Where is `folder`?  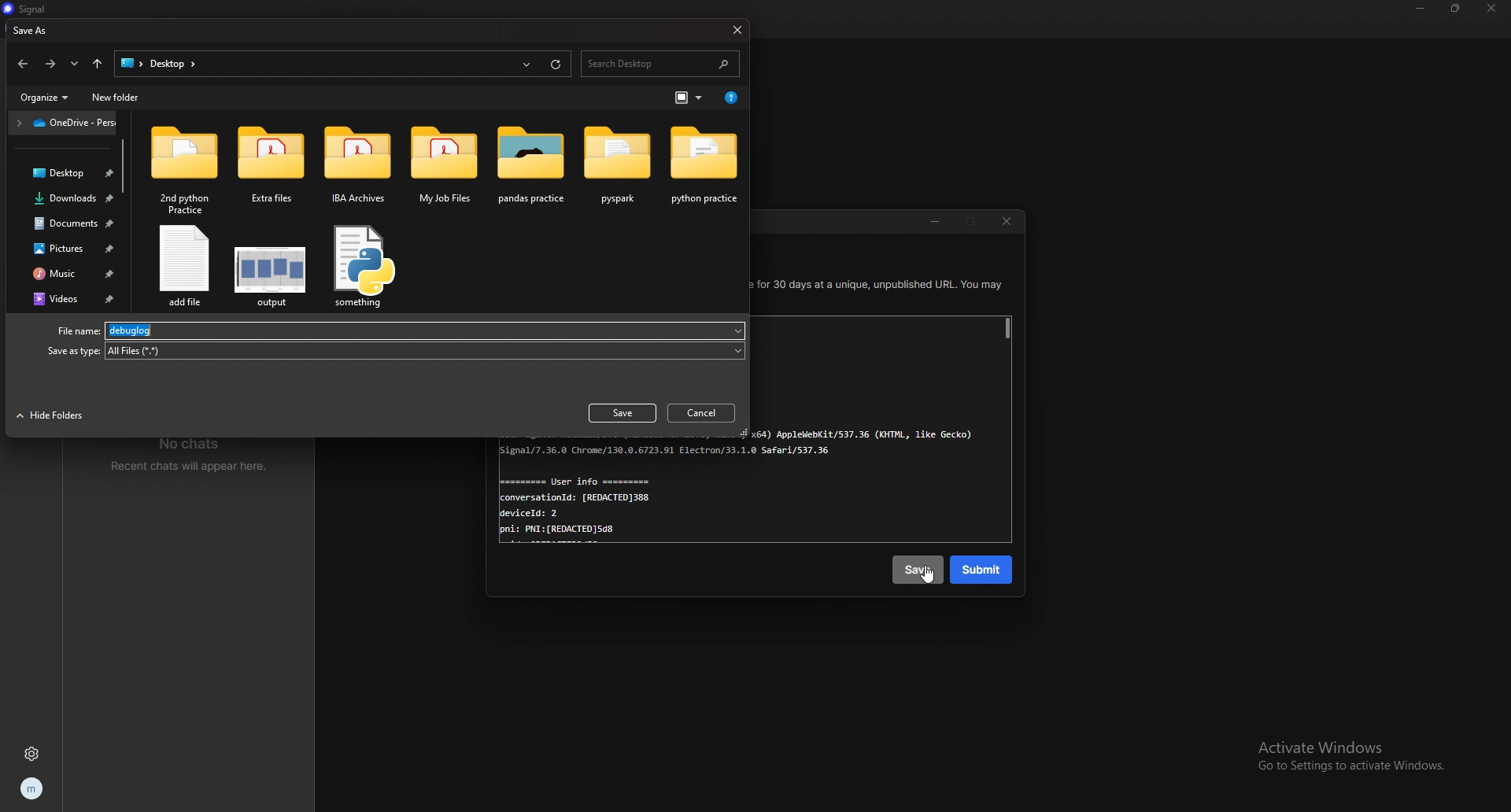 folder is located at coordinates (706, 164).